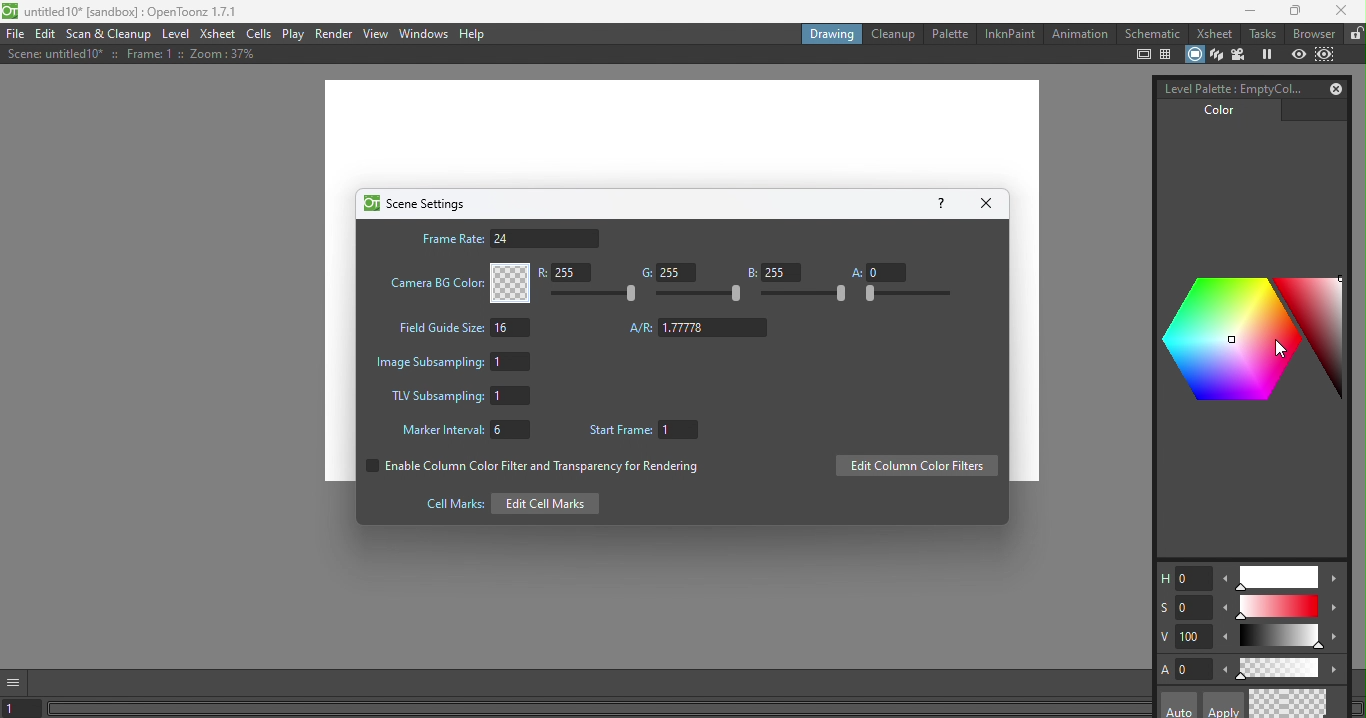 The image size is (1366, 718). What do you see at coordinates (1227, 639) in the screenshot?
I see `Decrease` at bounding box center [1227, 639].